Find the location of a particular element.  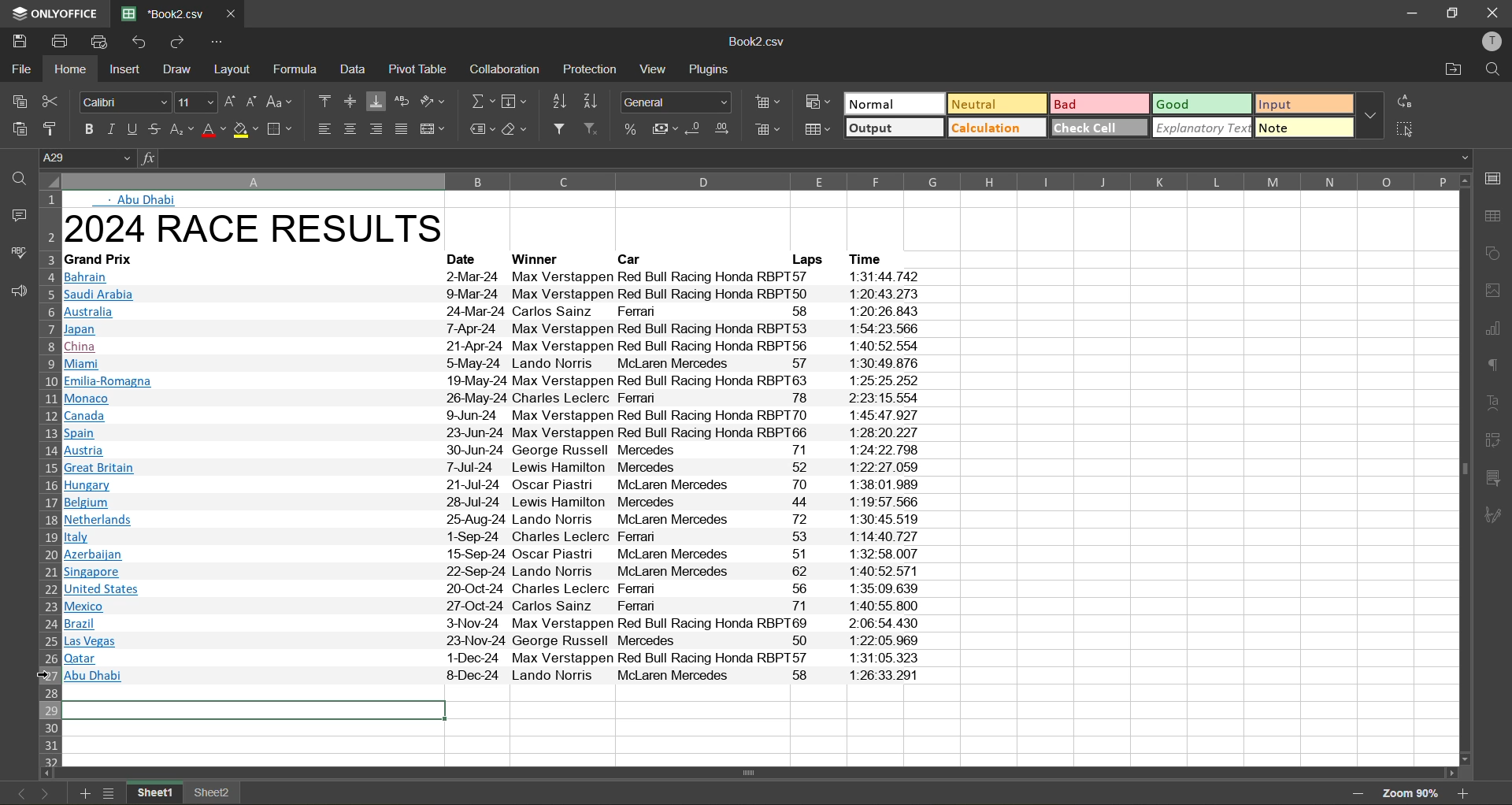

text info is located at coordinates (491, 555).